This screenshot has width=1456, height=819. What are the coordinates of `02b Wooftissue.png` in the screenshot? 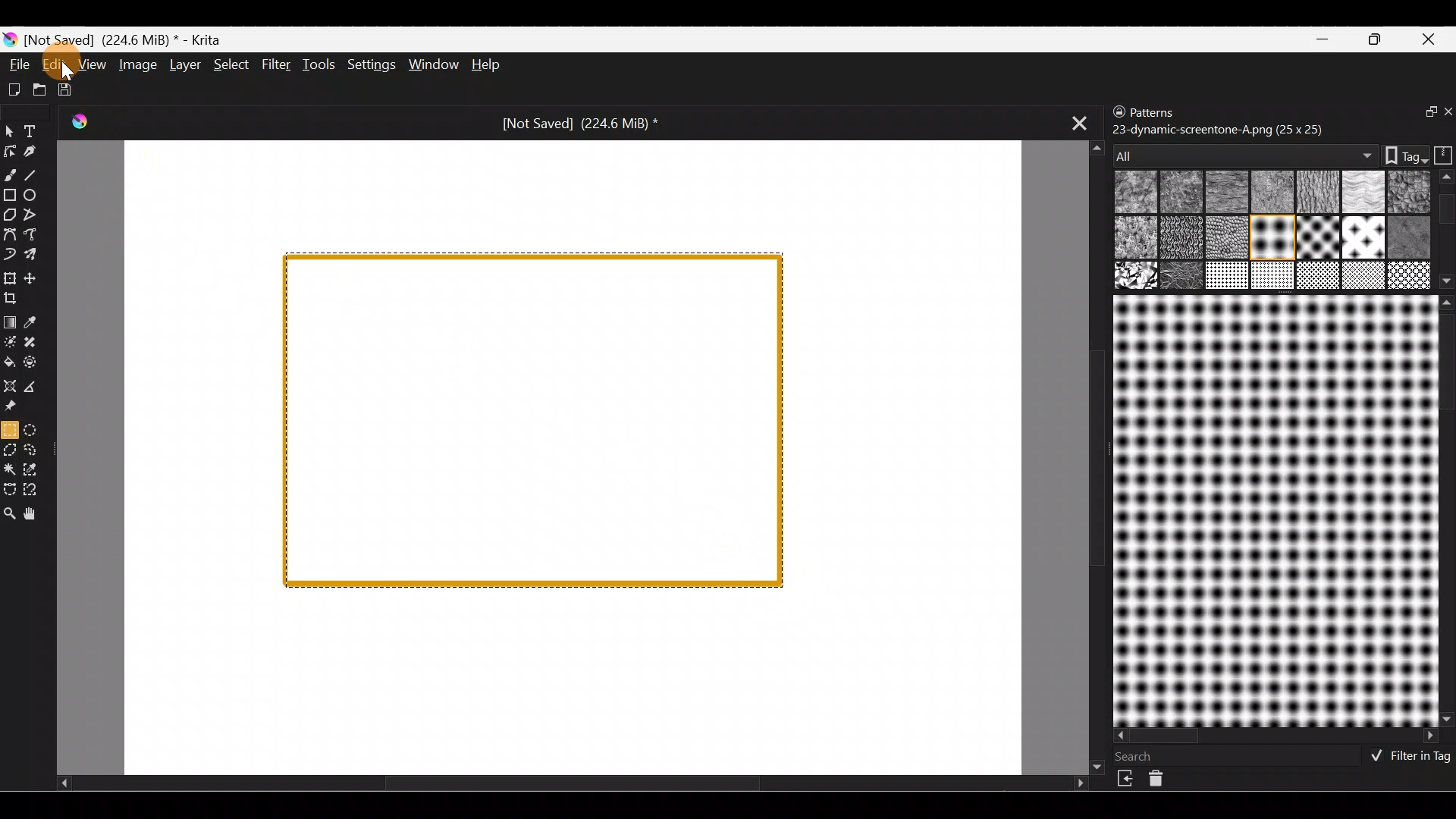 It's located at (1223, 193).